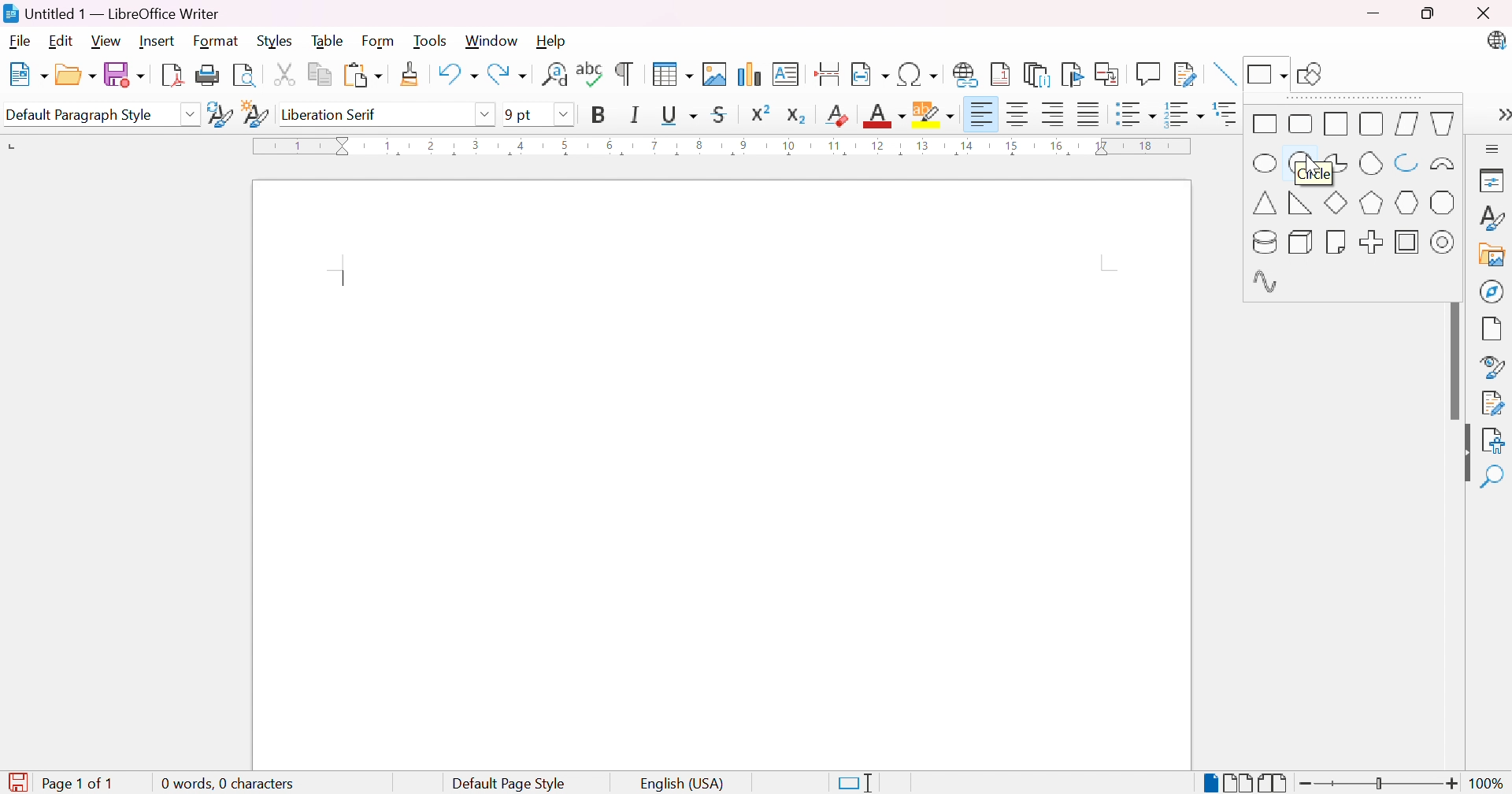 Image resolution: width=1512 pixels, height=794 pixels. Describe the element at coordinates (1371, 123) in the screenshot. I see `Square, Square rounded` at that location.